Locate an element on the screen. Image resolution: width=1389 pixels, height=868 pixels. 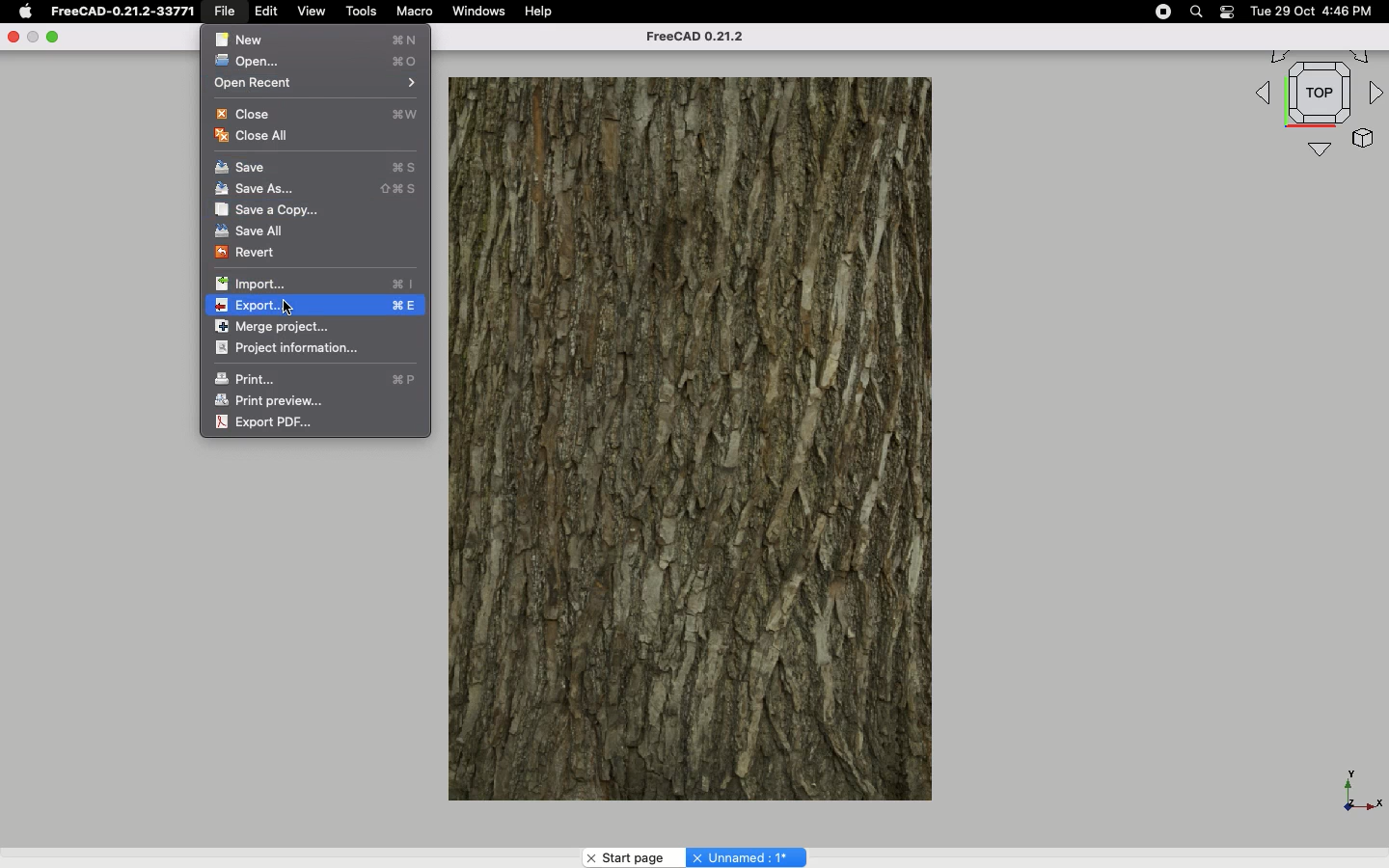
Apple logo is located at coordinates (24, 12).